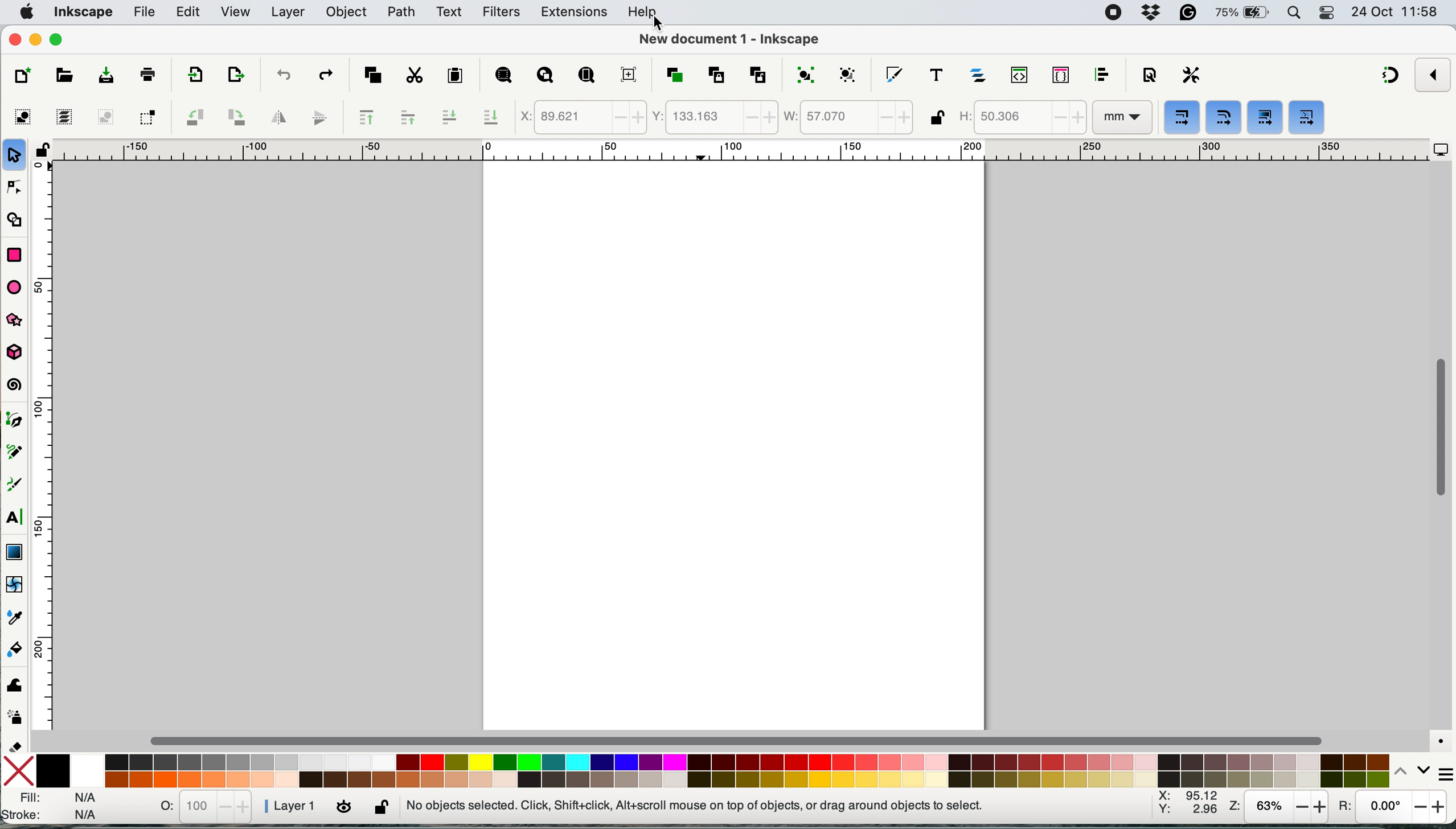 This screenshot has height=829, width=1456. Describe the element at coordinates (1191, 75) in the screenshot. I see `preferences` at that location.